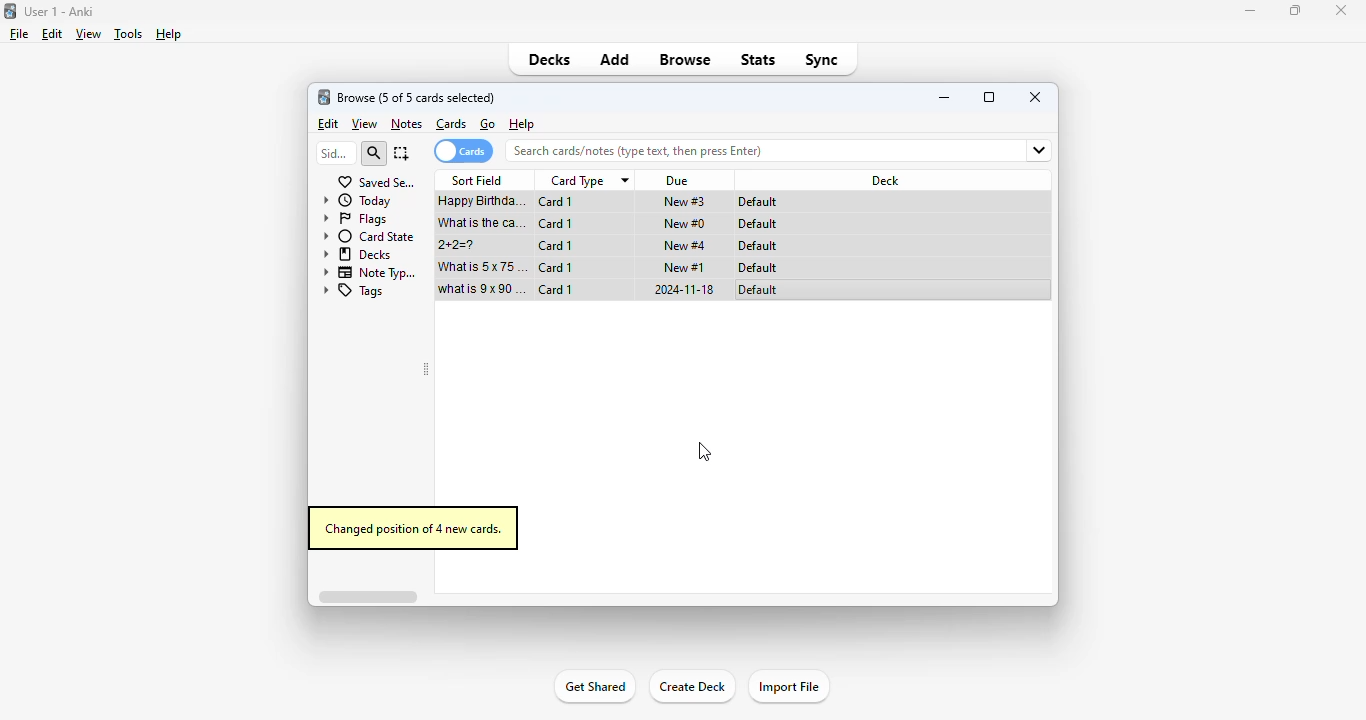  What do you see at coordinates (377, 182) in the screenshot?
I see `saved searches` at bounding box center [377, 182].